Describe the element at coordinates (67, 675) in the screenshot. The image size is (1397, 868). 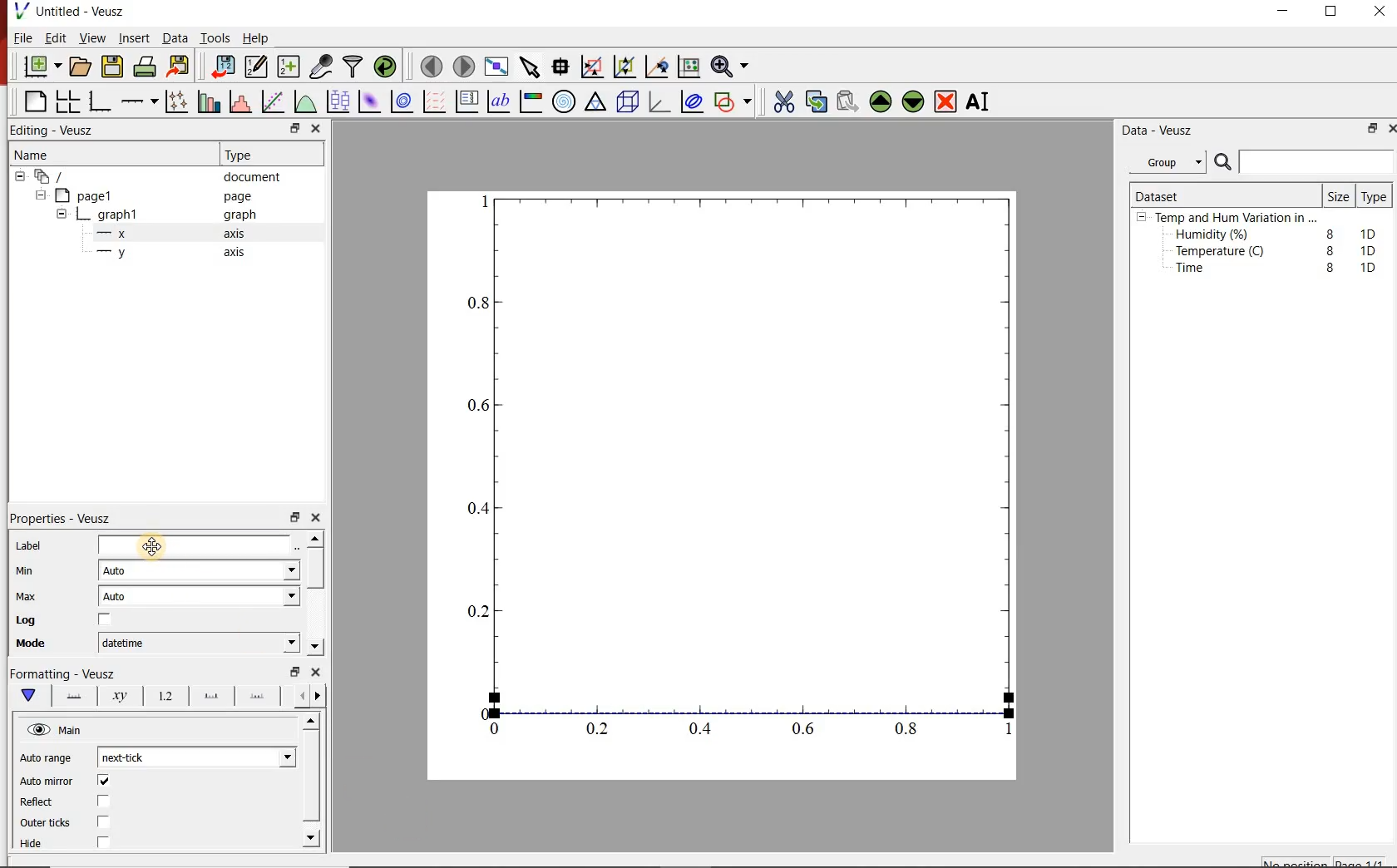
I see `Formatting - Veusz` at that location.